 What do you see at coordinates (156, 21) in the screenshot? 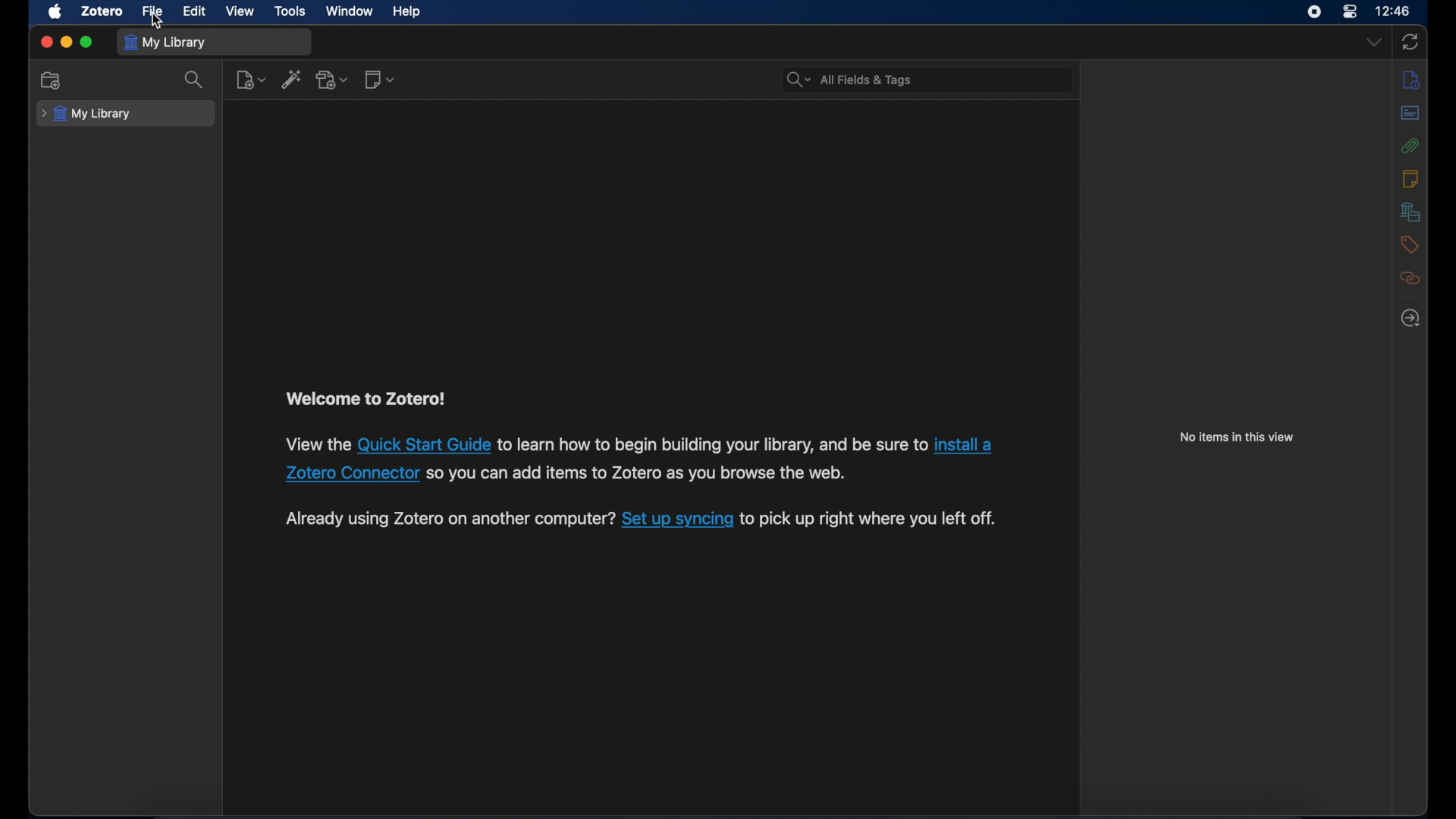
I see `cursor` at bounding box center [156, 21].